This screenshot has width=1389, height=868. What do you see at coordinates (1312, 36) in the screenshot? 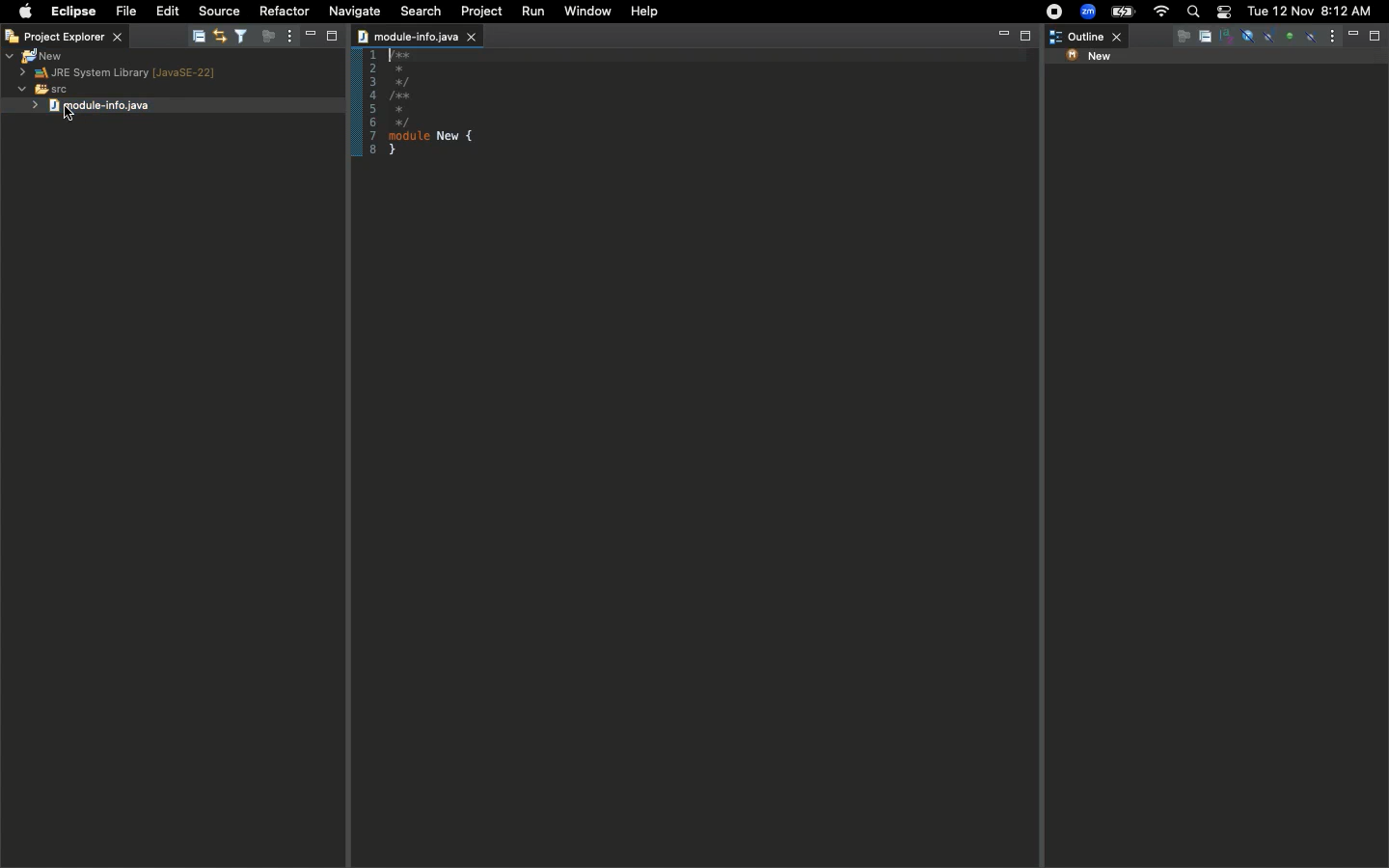
I see `Focus` at bounding box center [1312, 36].